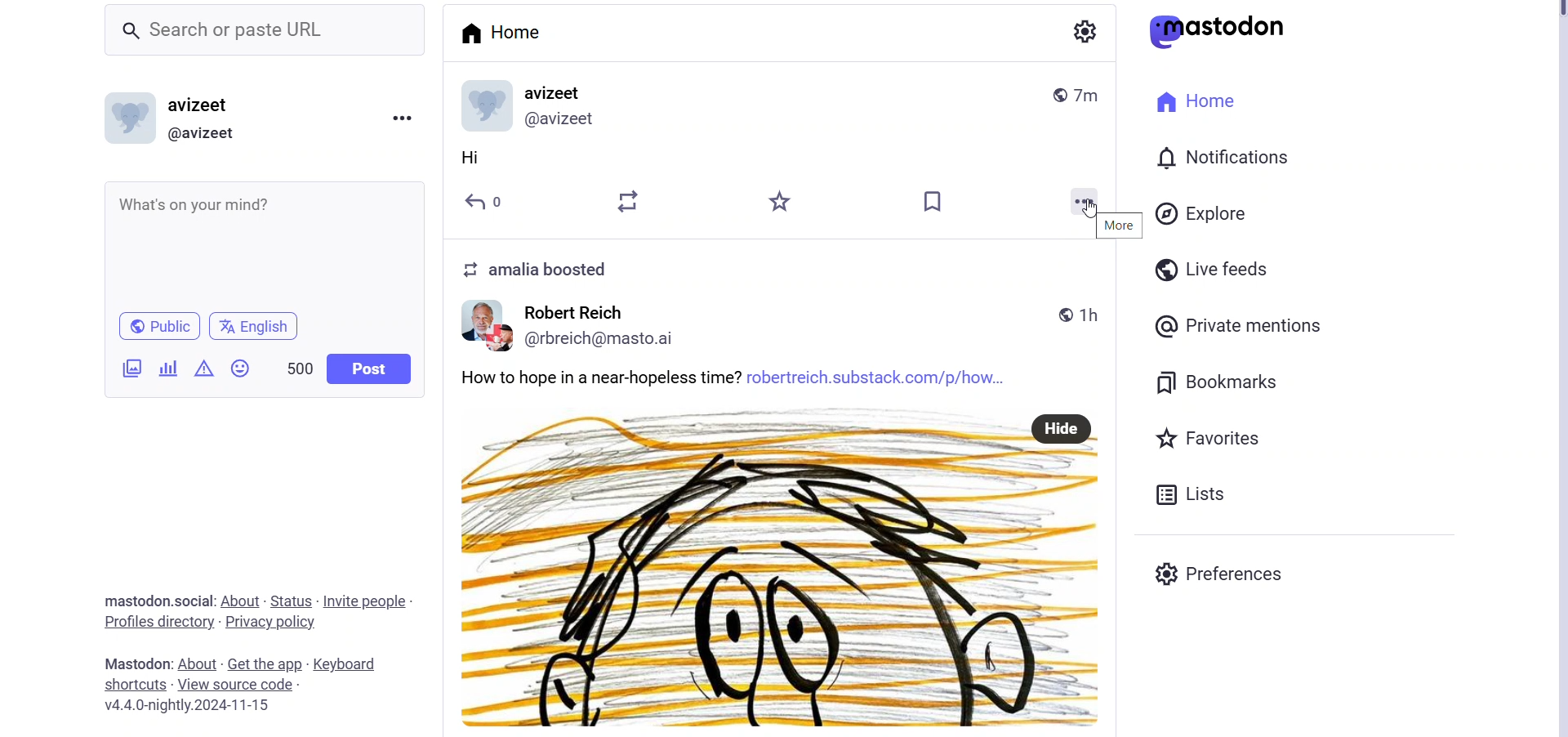 The height and width of the screenshot is (737, 1568). What do you see at coordinates (210, 134) in the screenshot?
I see `@User` at bounding box center [210, 134].